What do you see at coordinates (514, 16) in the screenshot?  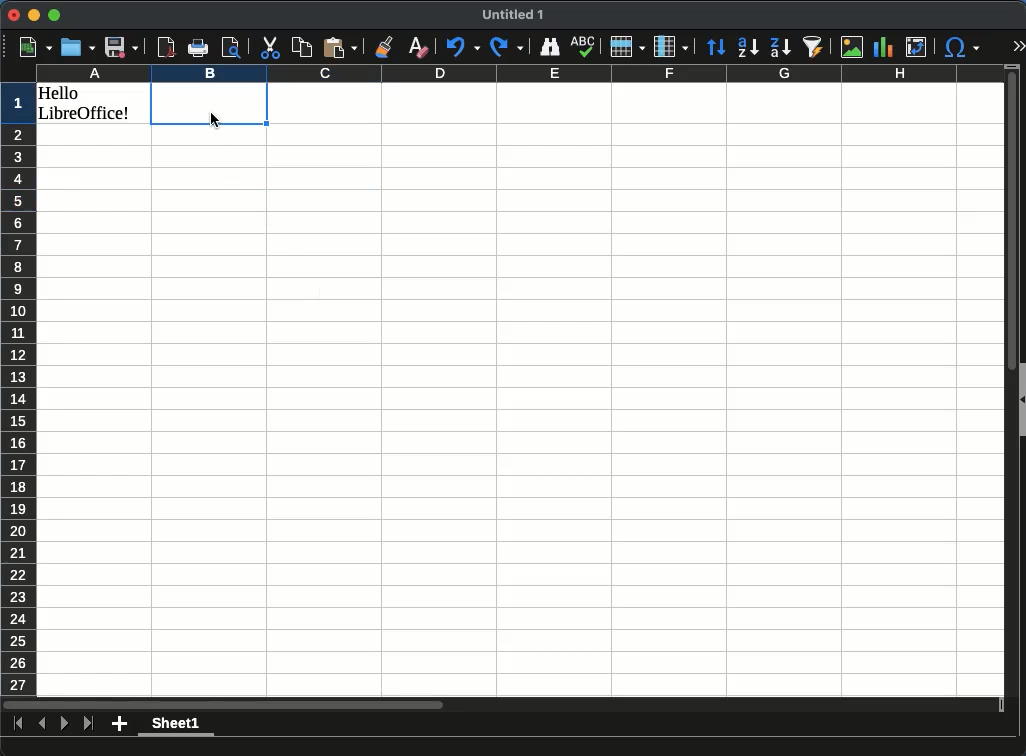 I see `untitled 1` at bounding box center [514, 16].